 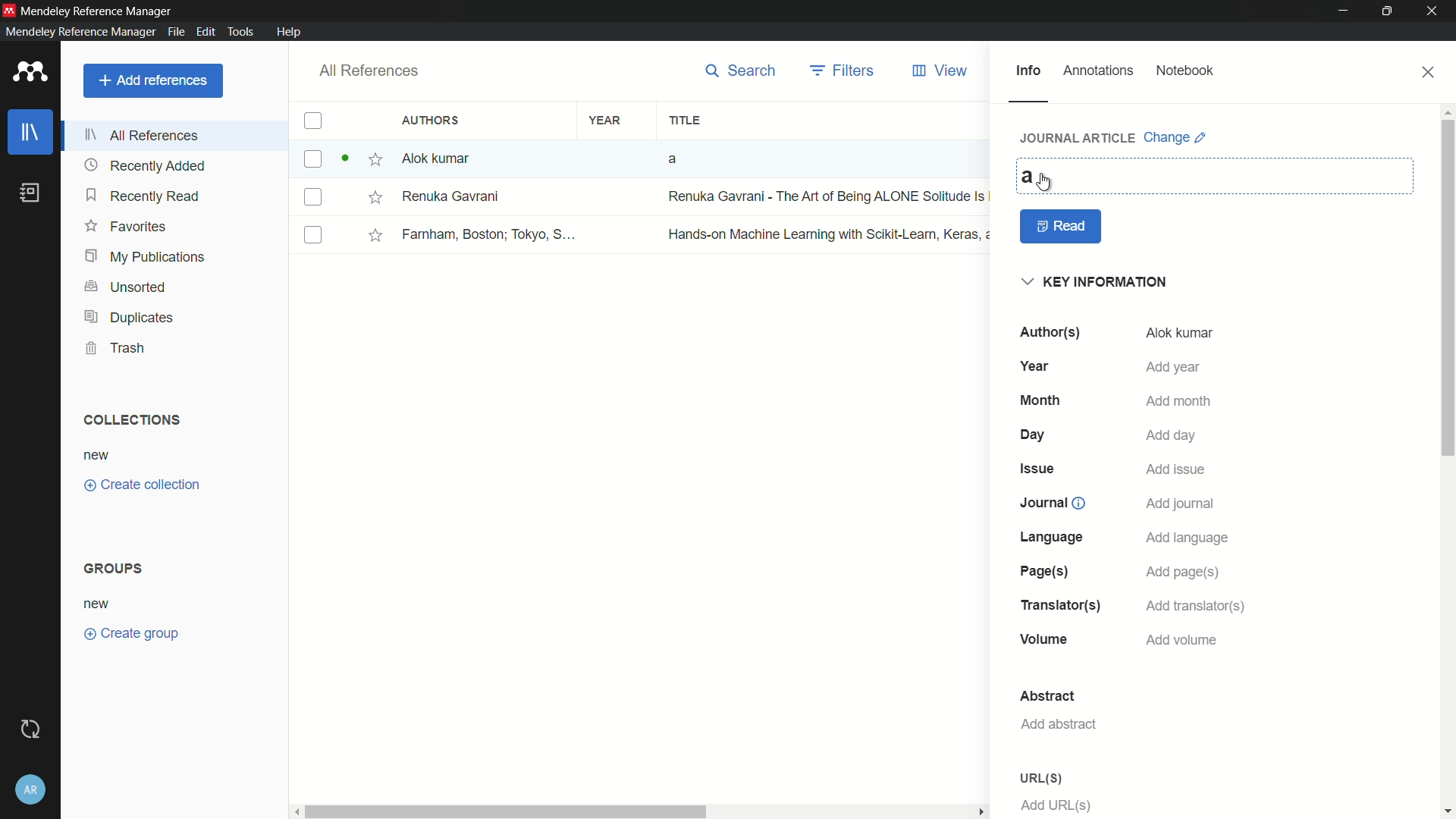 I want to click on info, so click(x=1028, y=71).